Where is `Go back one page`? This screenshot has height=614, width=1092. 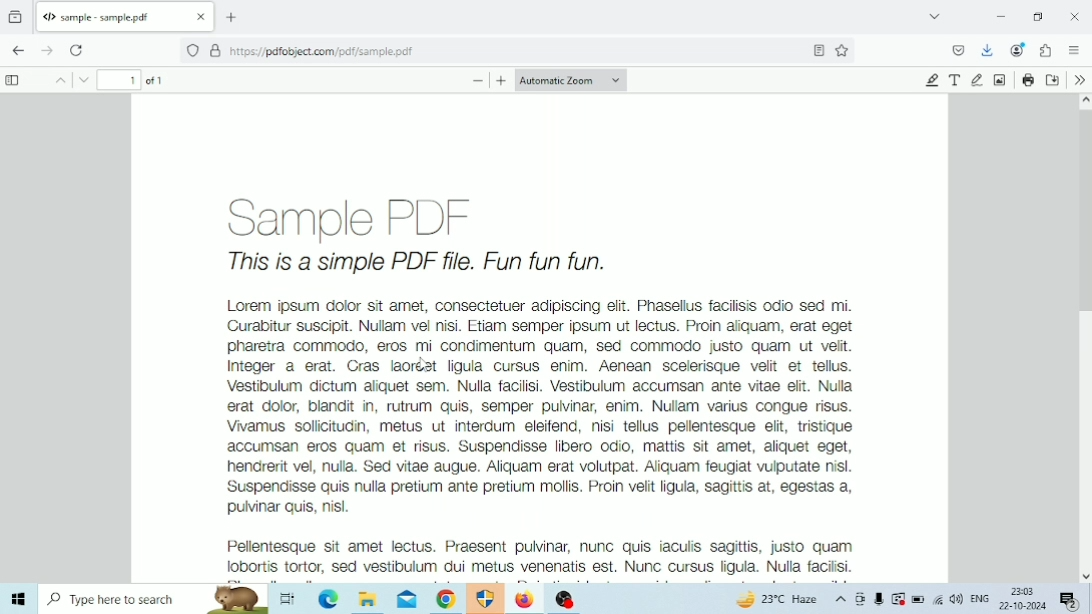
Go back one page is located at coordinates (19, 51).